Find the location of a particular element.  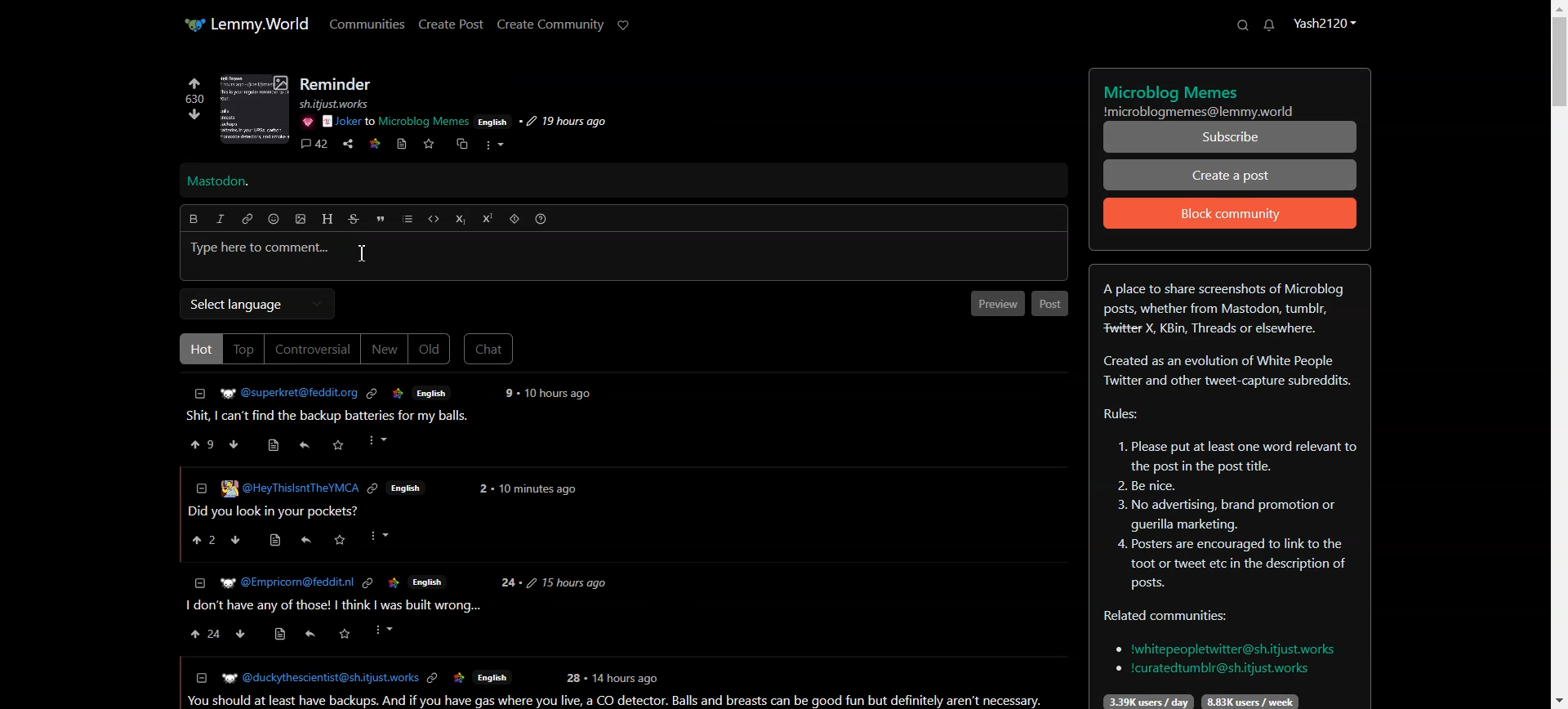

Support Lemmy is located at coordinates (624, 25).